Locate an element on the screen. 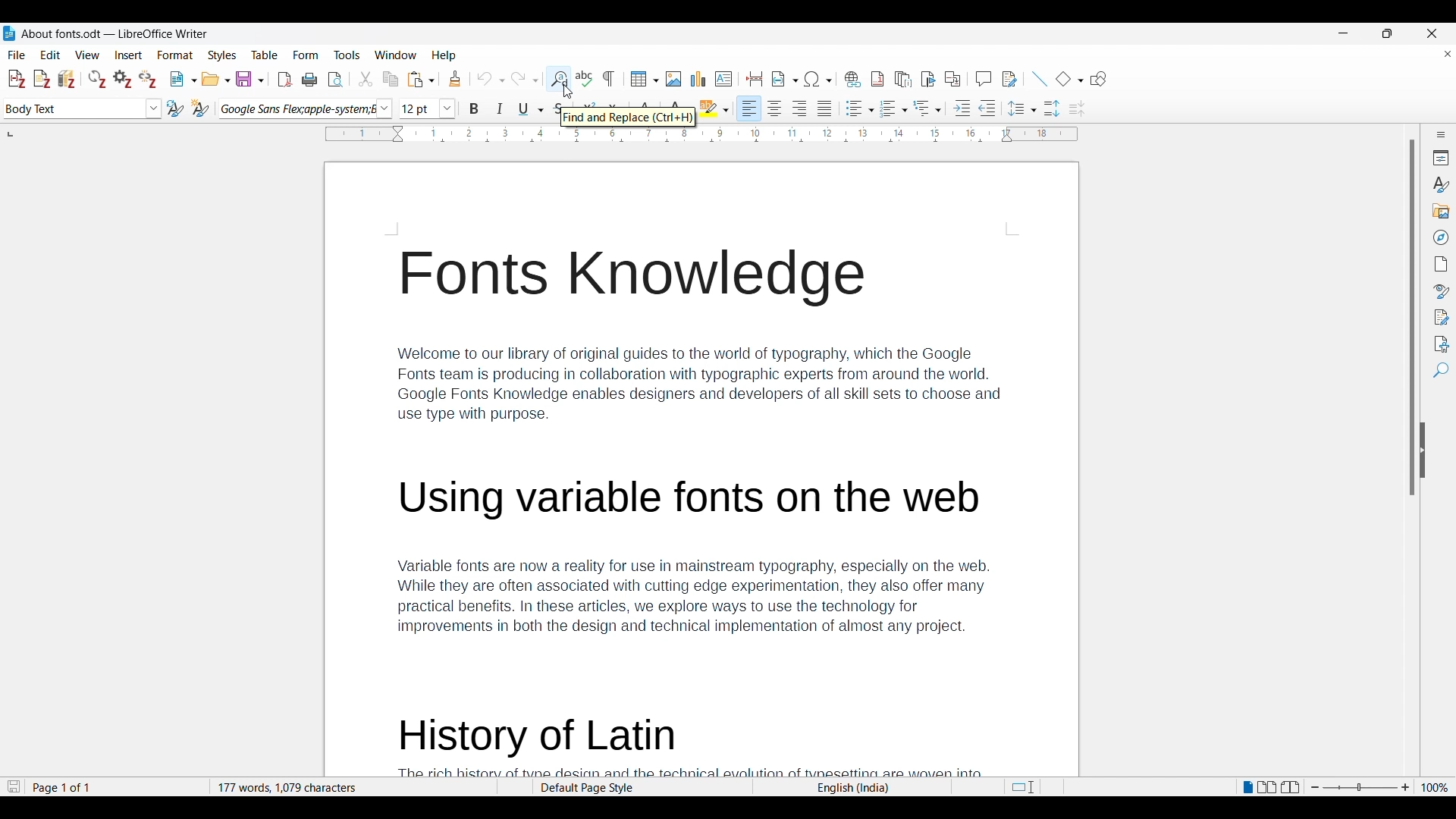 This screenshot has width=1456, height=819. Special character options and current selection is located at coordinates (818, 79).